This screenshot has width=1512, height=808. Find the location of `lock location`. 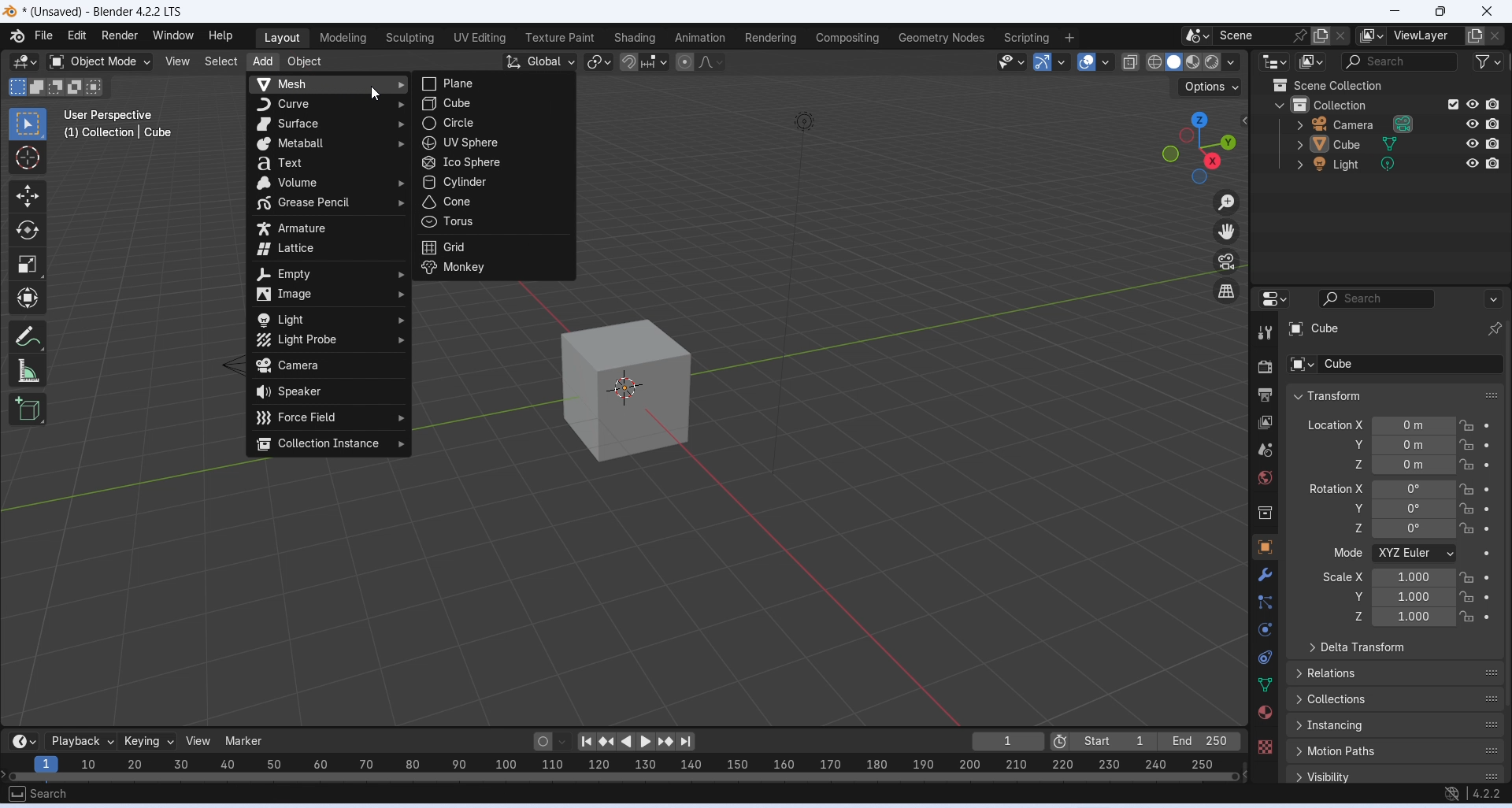

lock location is located at coordinates (1467, 464).